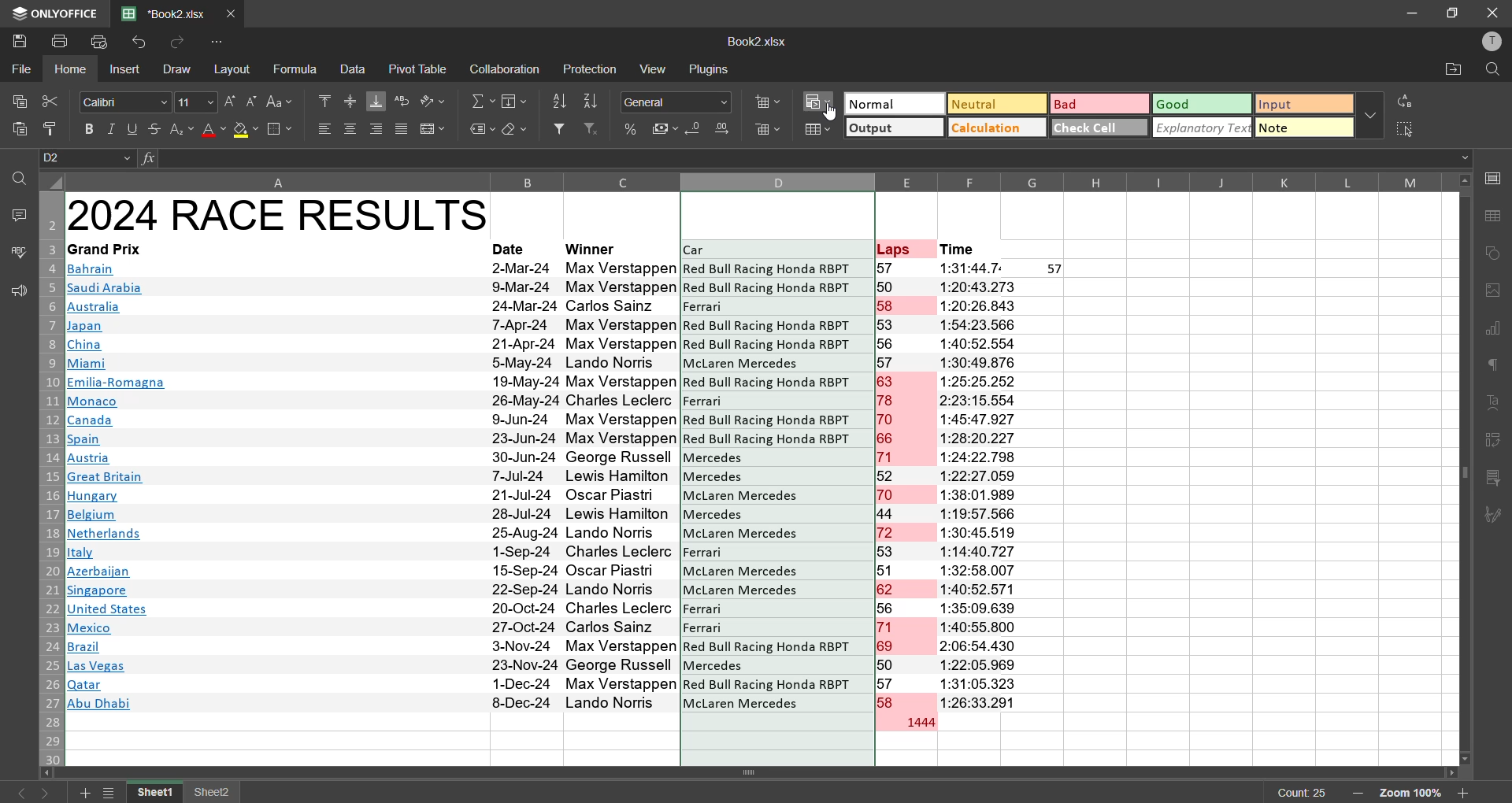 The height and width of the screenshot is (803, 1512). I want to click on fields, so click(517, 101).